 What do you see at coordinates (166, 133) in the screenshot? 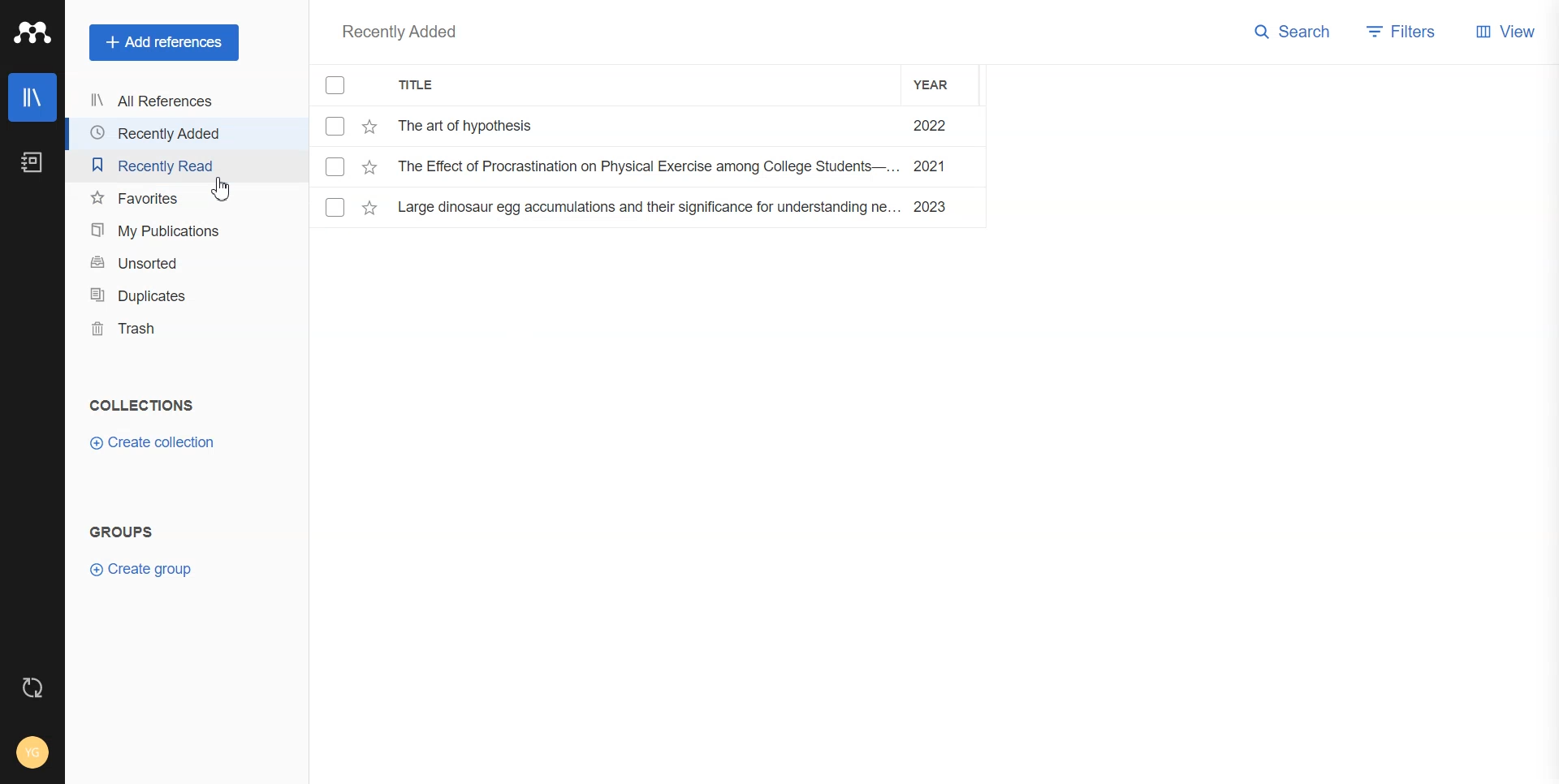
I see `Recently Added` at bounding box center [166, 133].